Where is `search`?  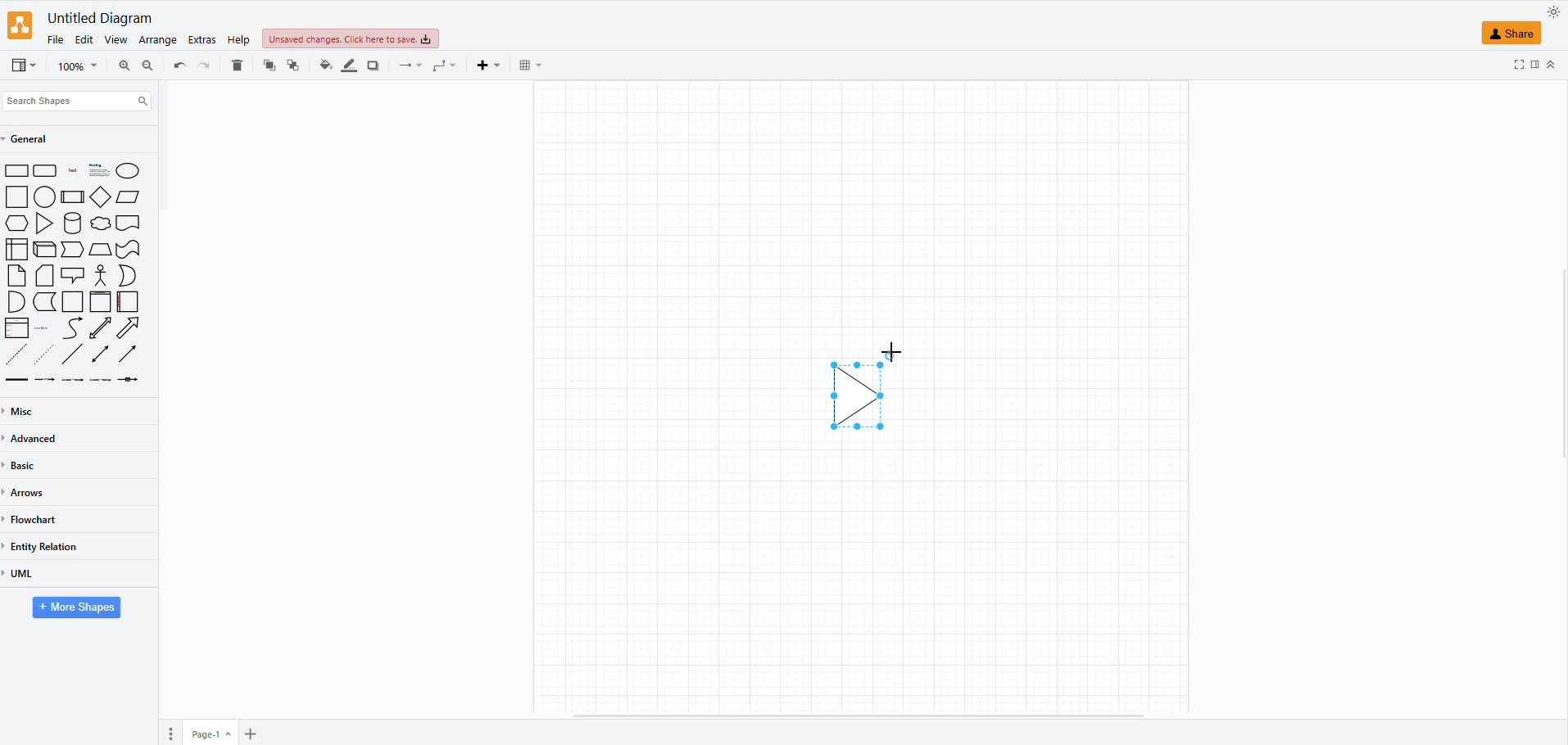
search is located at coordinates (79, 97).